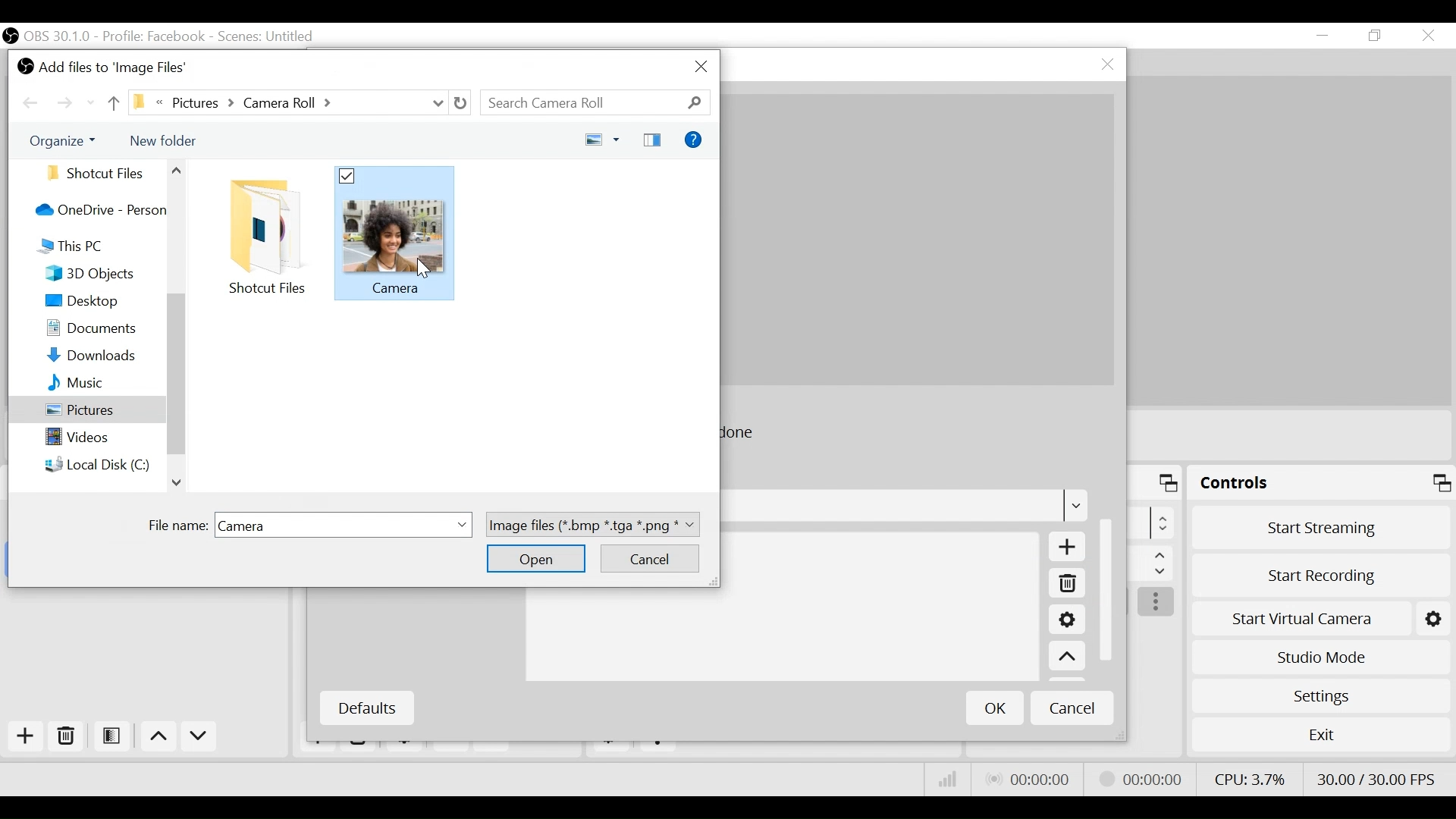 The height and width of the screenshot is (819, 1456). What do you see at coordinates (1321, 485) in the screenshot?
I see `Controls` at bounding box center [1321, 485].